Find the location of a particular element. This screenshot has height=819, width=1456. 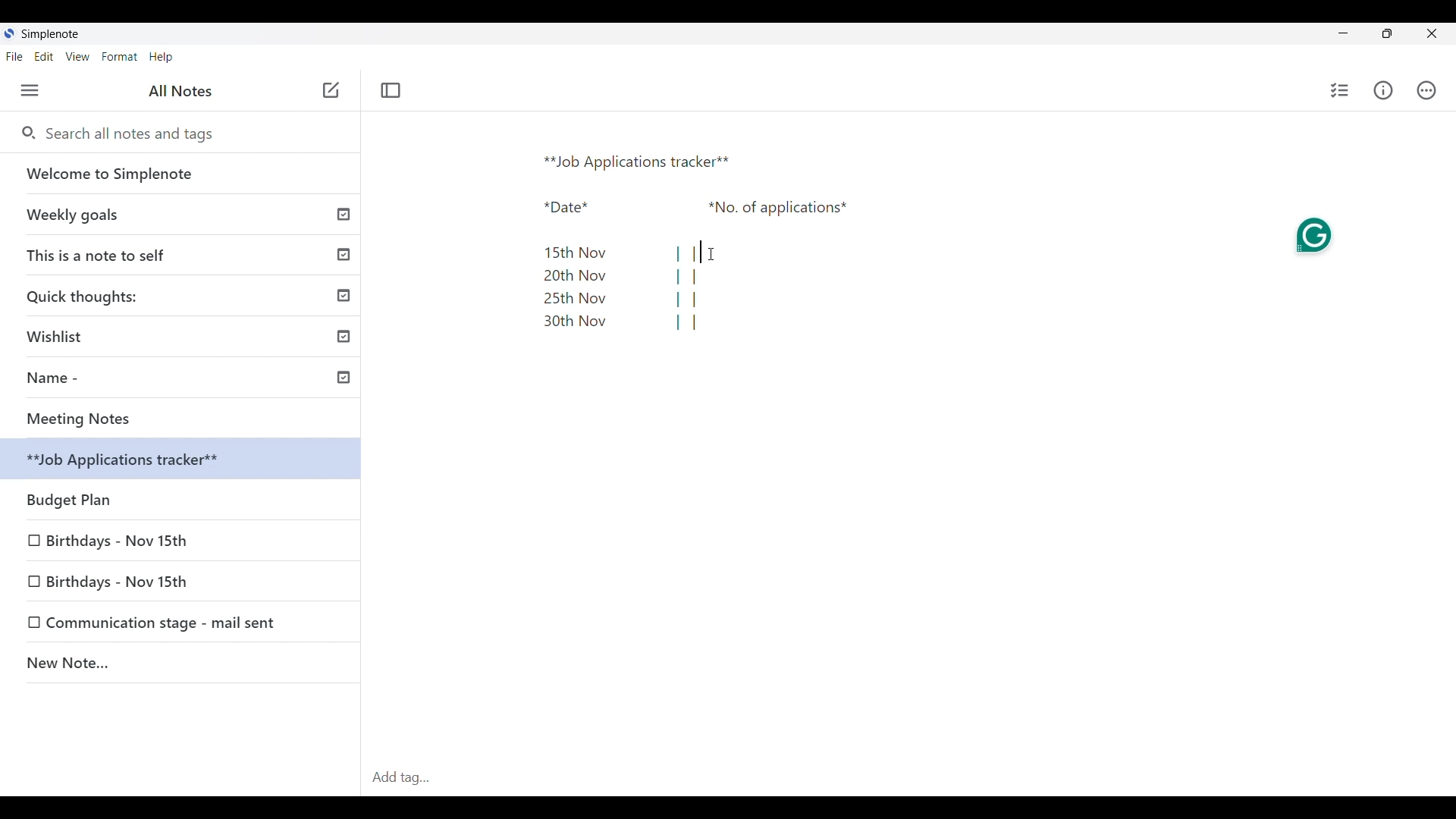

Maximize is located at coordinates (1387, 33).